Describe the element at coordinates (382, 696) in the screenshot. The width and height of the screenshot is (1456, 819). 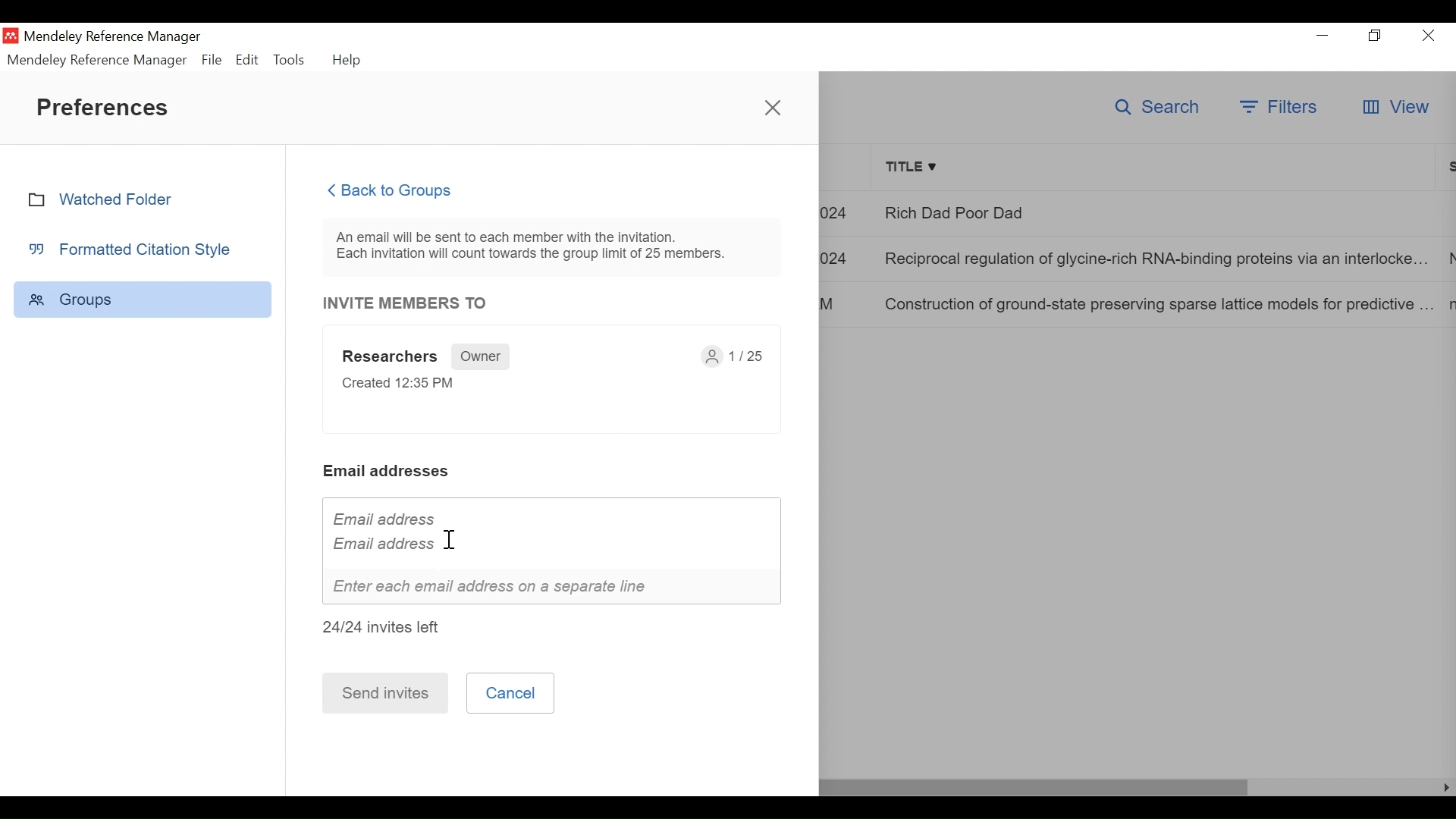
I see `Send invites` at that location.